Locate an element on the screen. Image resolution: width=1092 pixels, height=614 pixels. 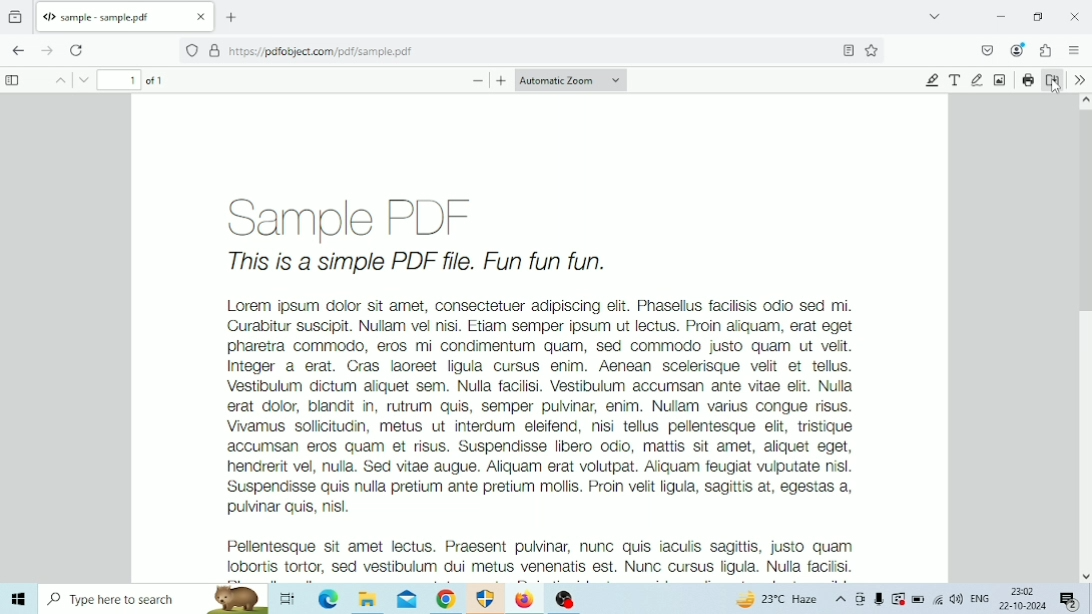
Next page is located at coordinates (78, 80).